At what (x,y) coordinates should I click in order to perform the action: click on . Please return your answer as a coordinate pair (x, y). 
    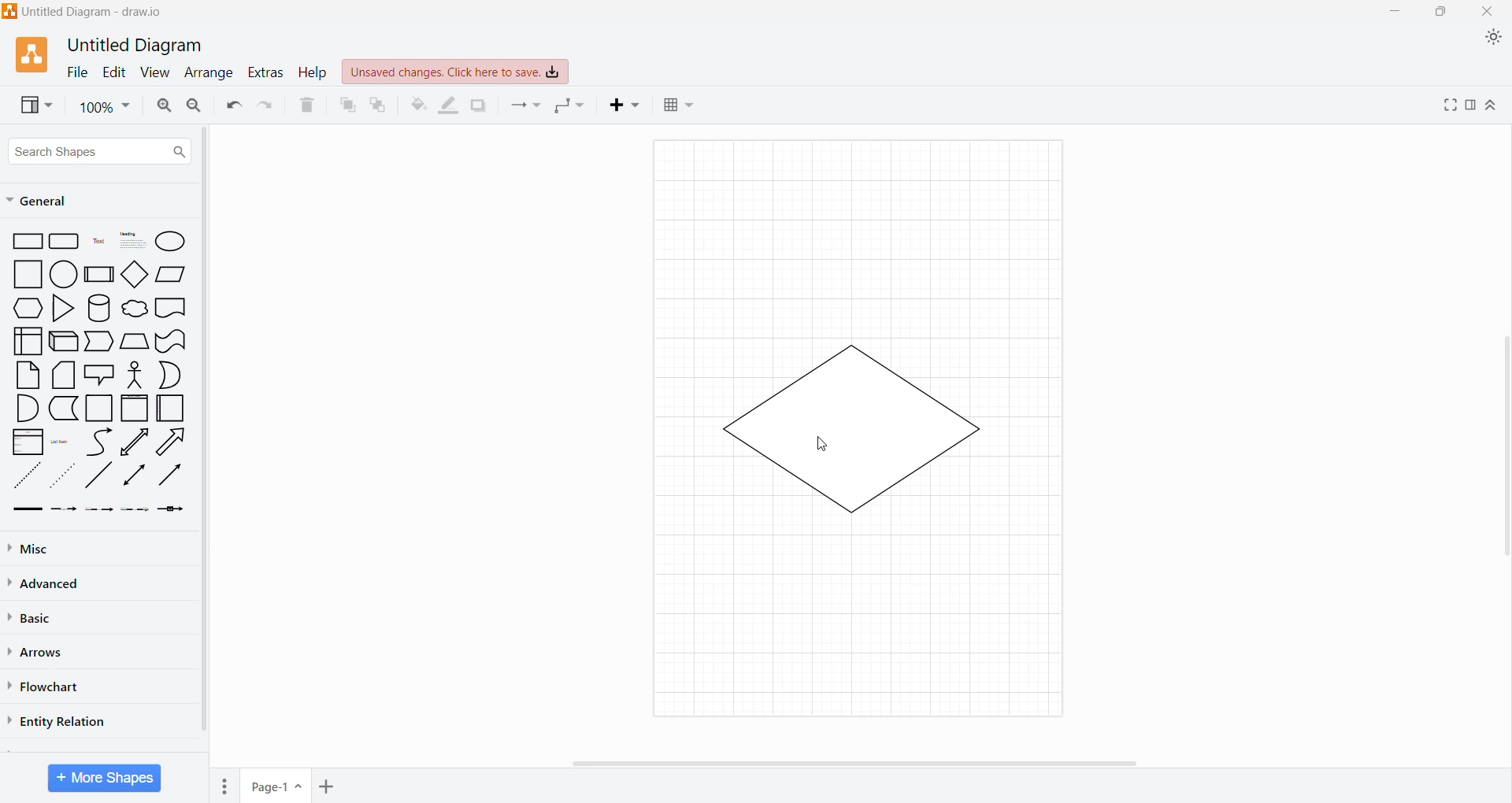
    Looking at the image, I should click on (227, 783).